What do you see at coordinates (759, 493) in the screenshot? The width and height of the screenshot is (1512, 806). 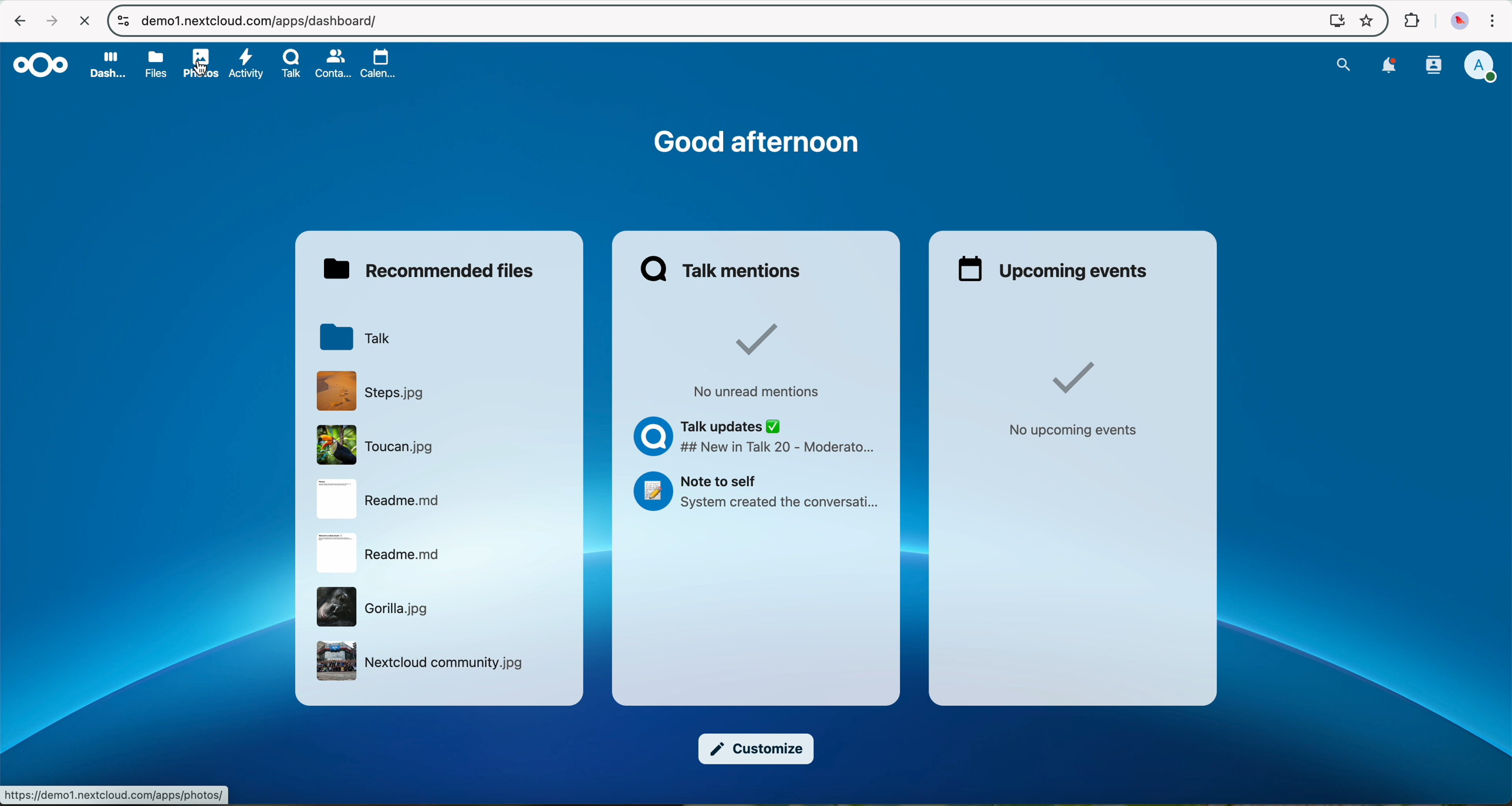 I see `Note to self` at bounding box center [759, 493].